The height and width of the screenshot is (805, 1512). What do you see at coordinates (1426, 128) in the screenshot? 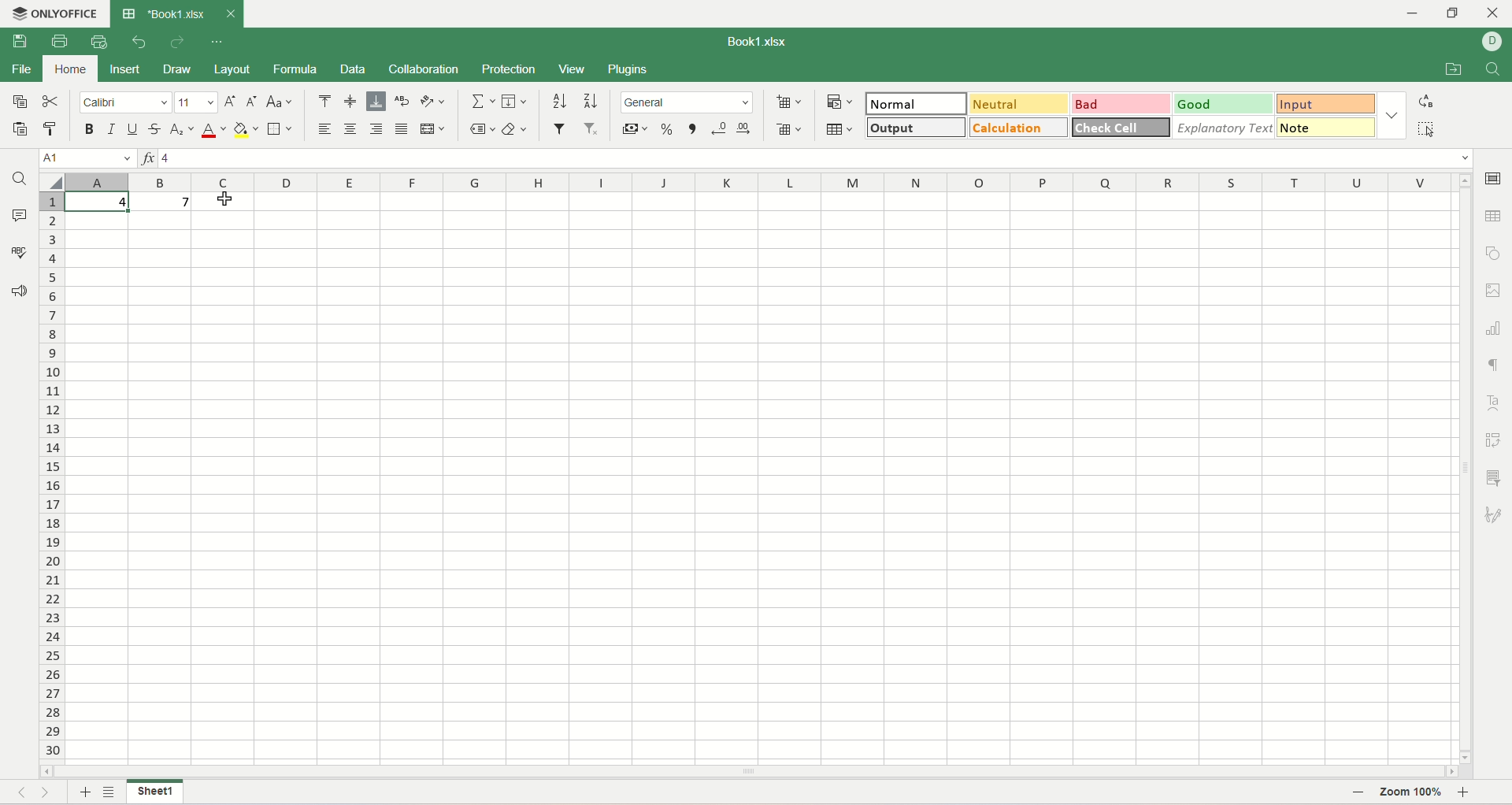
I see `select all` at bounding box center [1426, 128].